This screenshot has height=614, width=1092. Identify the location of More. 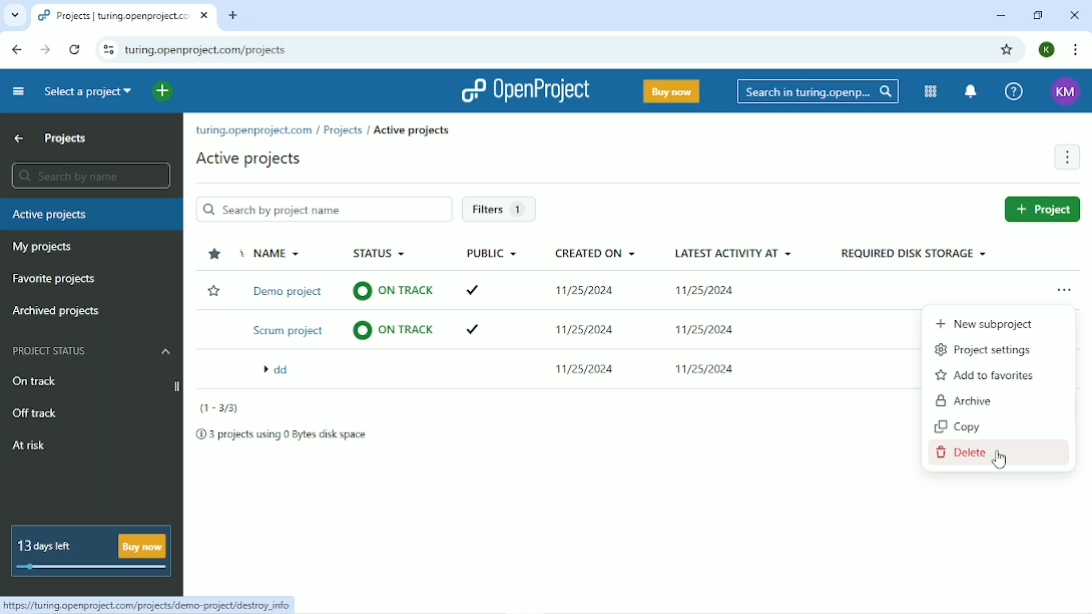
(1066, 158).